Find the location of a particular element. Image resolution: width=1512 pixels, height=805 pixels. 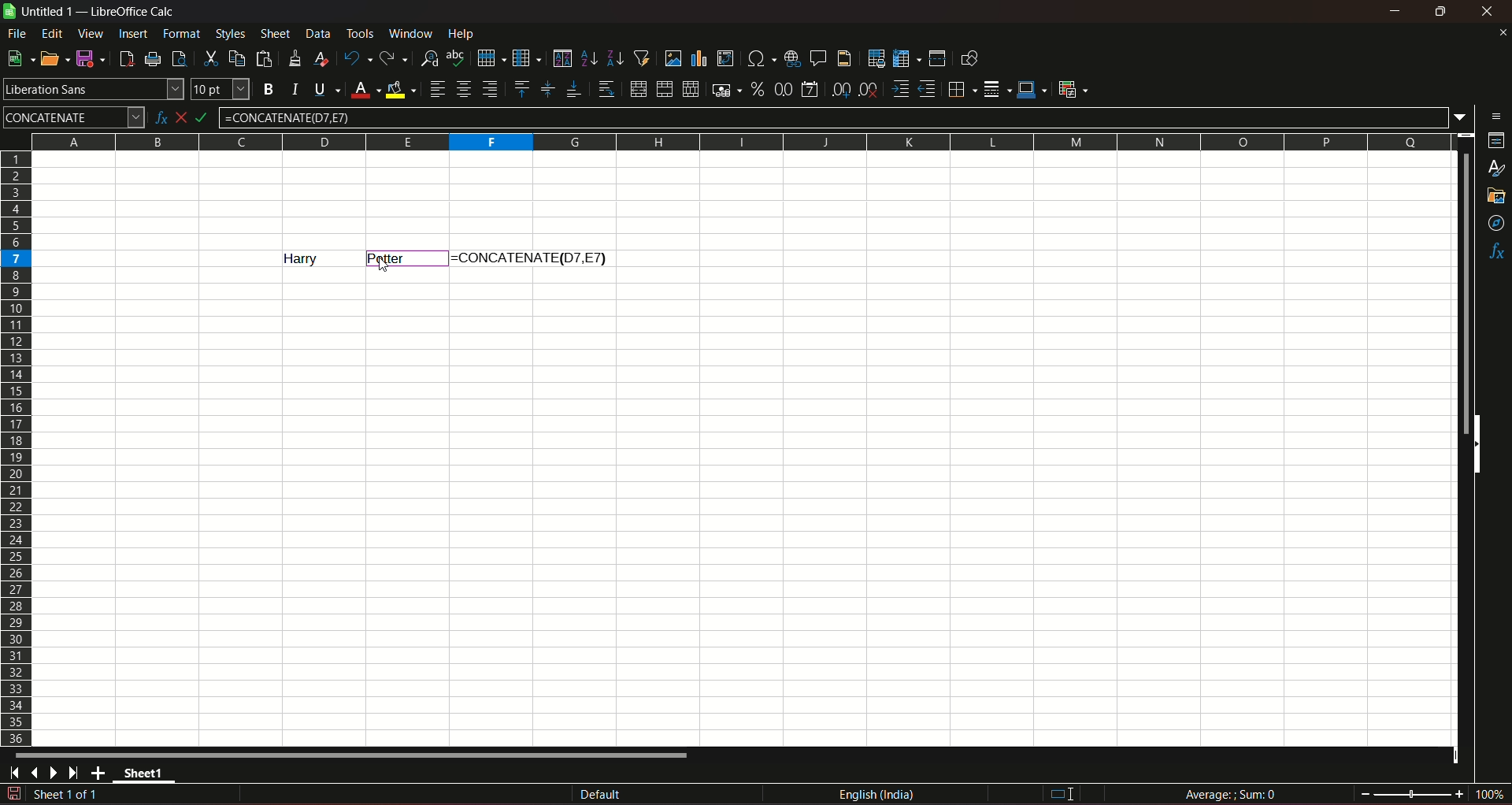

show draw functions is located at coordinates (969, 57).